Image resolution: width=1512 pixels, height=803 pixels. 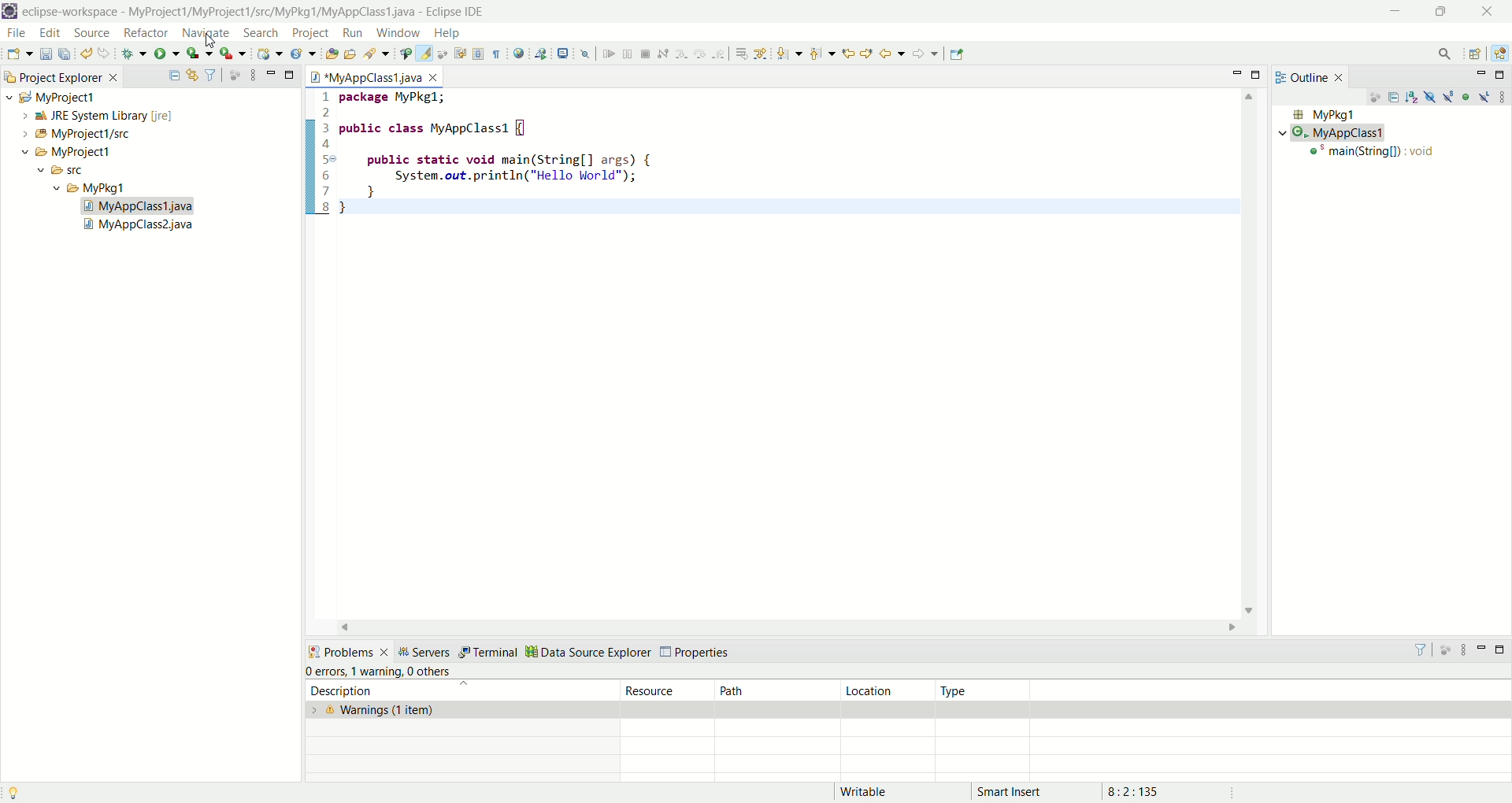 I want to click on open web browser, so click(x=518, y=54).